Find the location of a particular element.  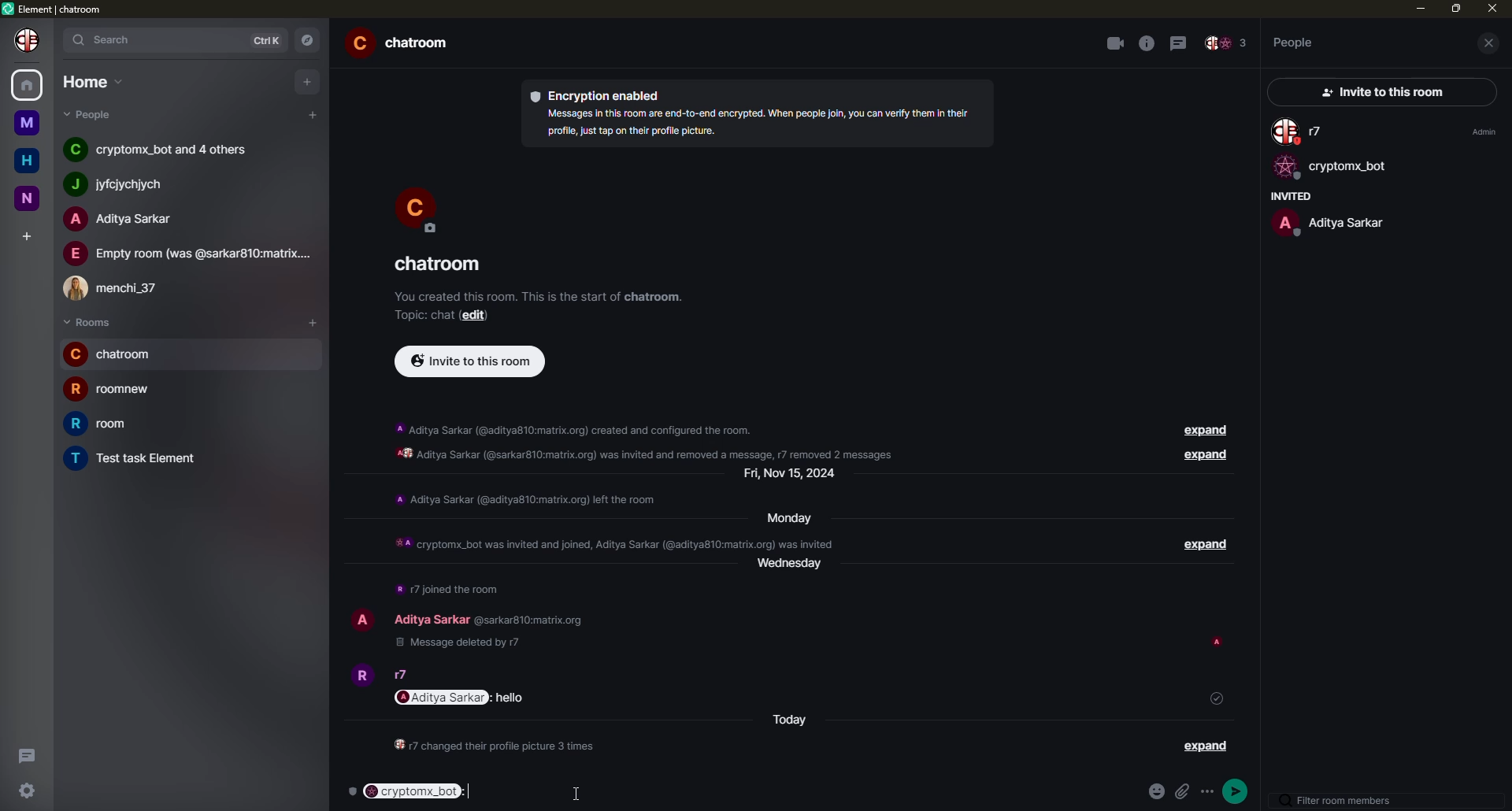

emoji is located at coordinates (1159, 792).